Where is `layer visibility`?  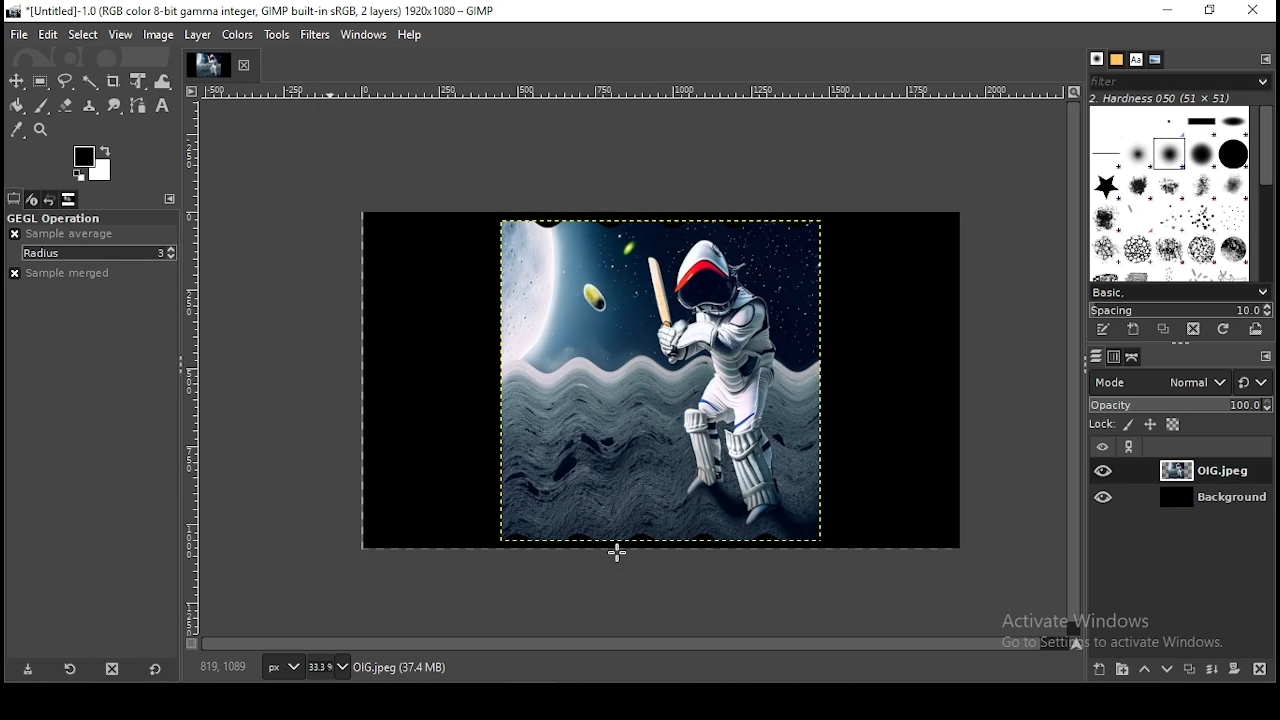 layer visibility is located at coordinates (1105, 496).